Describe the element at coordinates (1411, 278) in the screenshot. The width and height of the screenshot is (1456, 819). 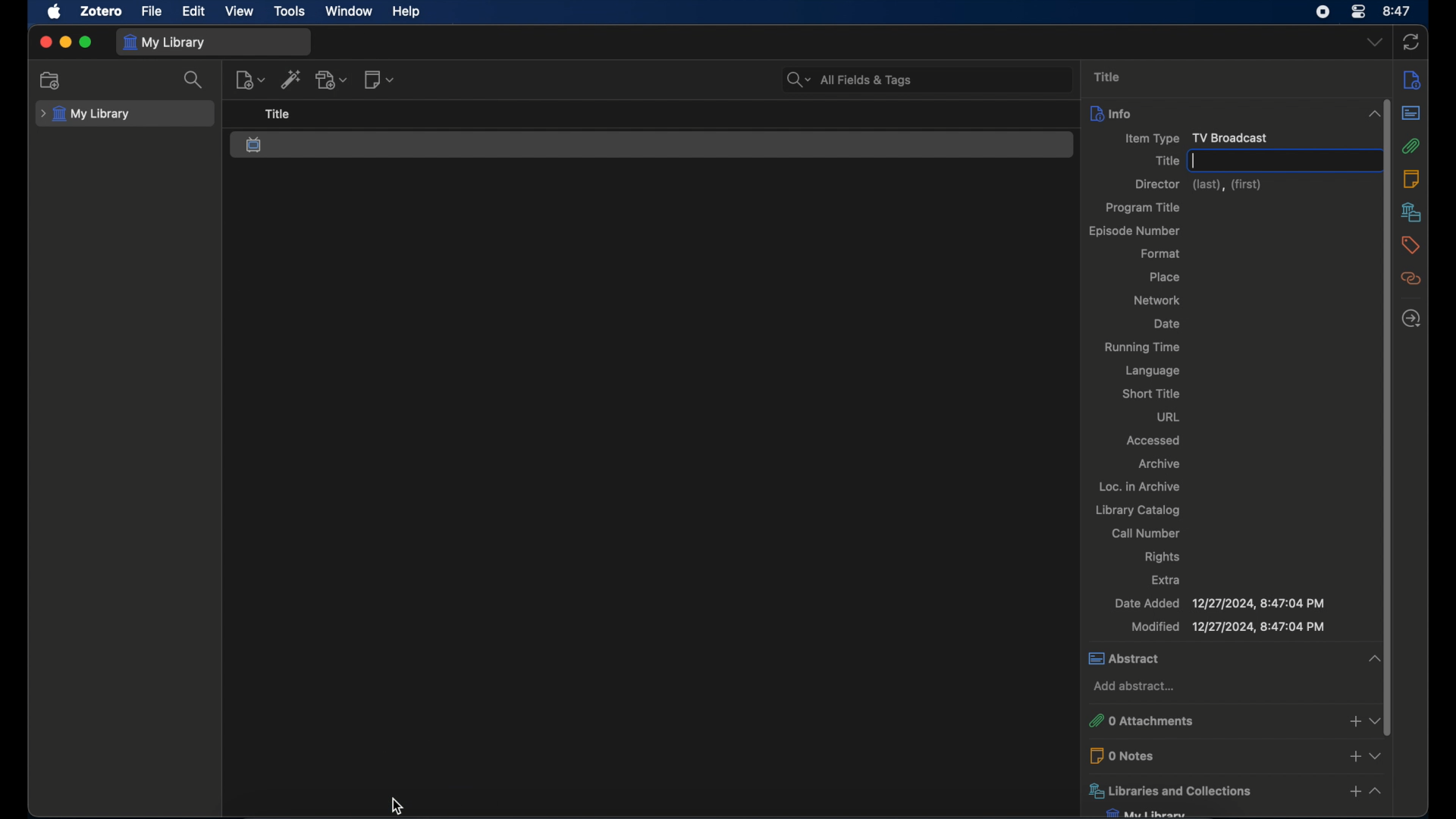
I see `related` at that location.